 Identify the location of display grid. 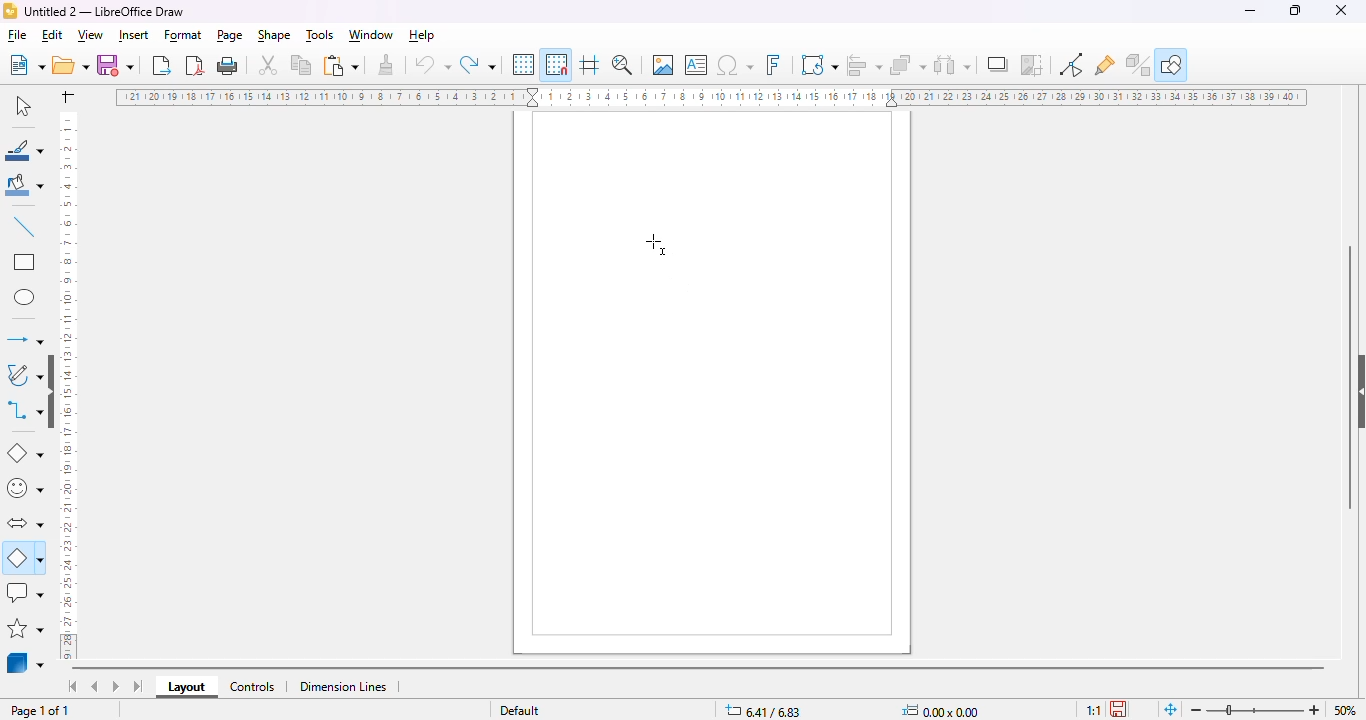
(522, 64).